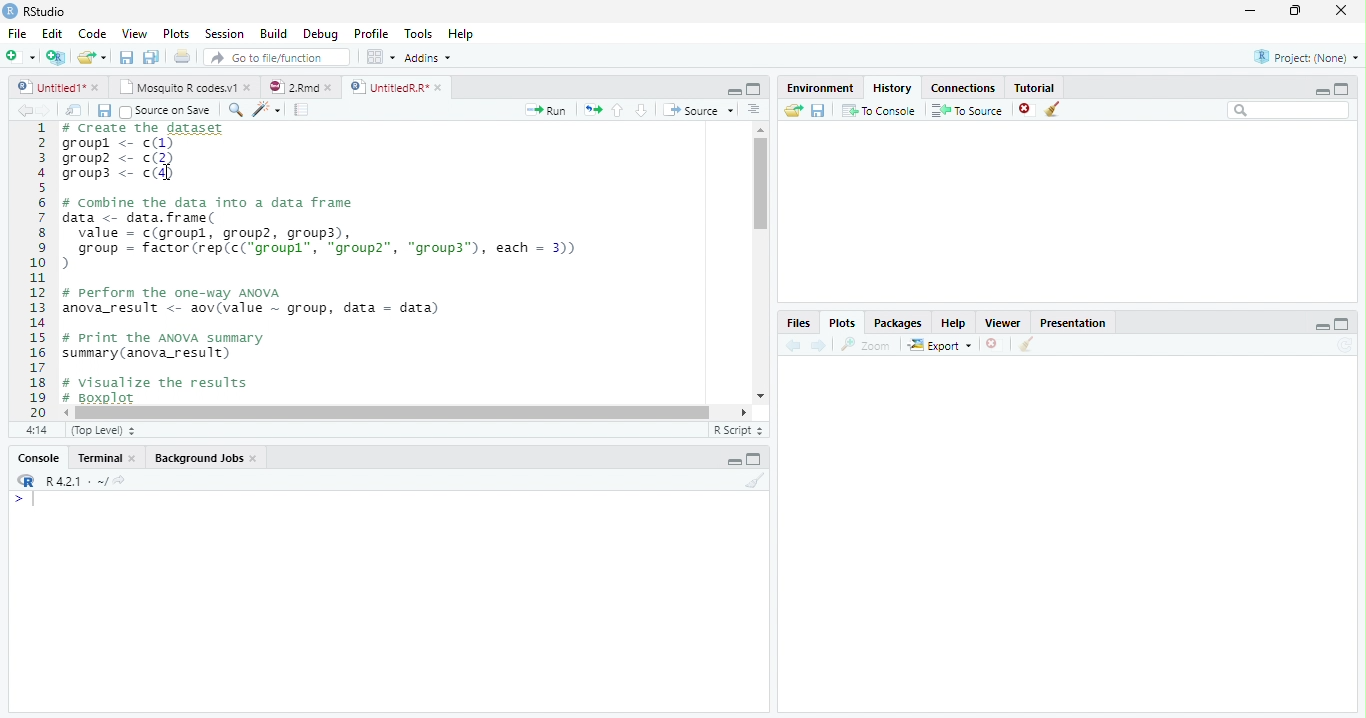 This screenshot has height=718, width=1366. Describe the element at coordinates (794, 111) in the screenshot. I see `Load Workspace` at that location.